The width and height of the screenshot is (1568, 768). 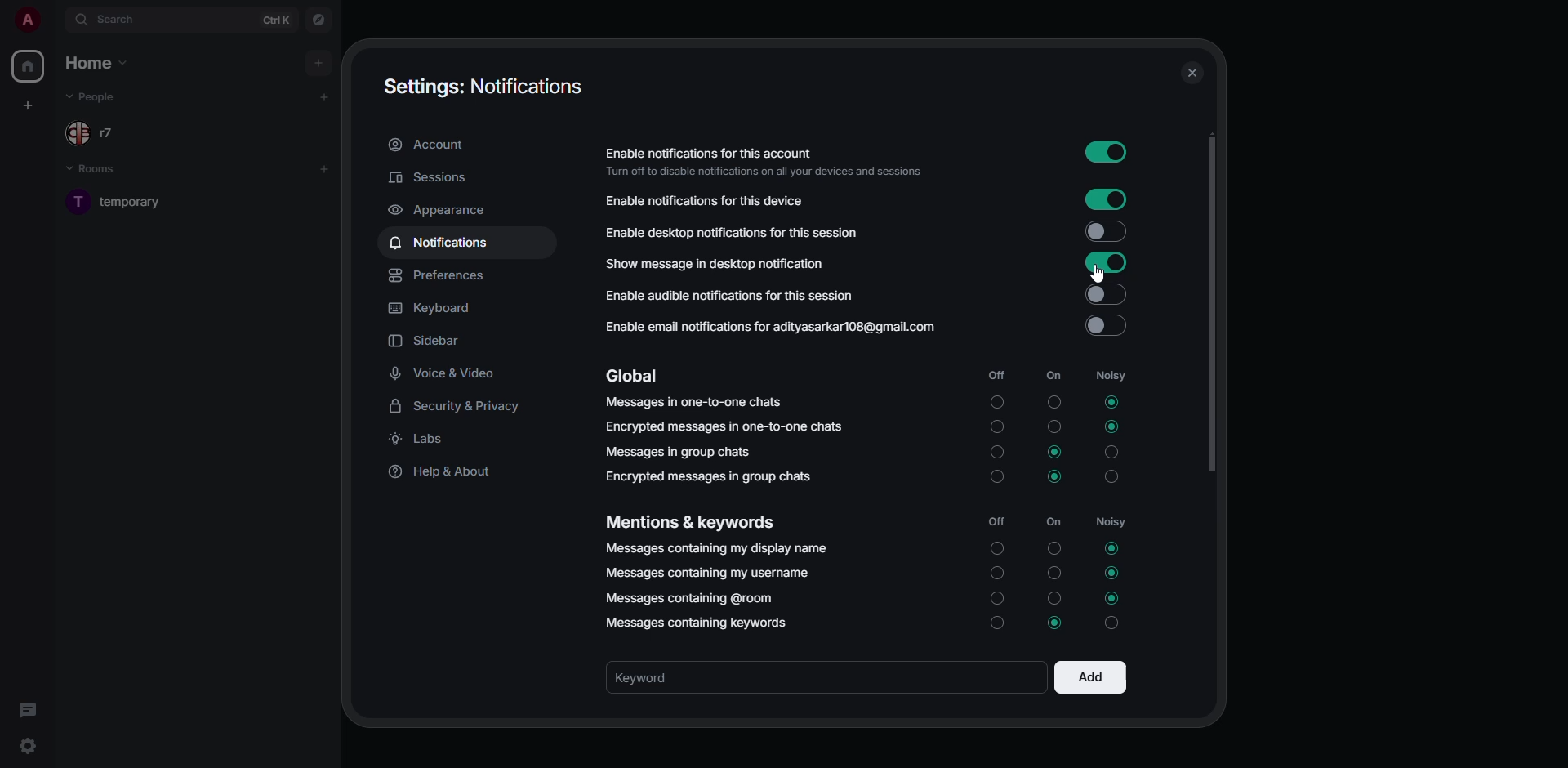 I want to click on Noisy Unselected, so click(x=1112, y=478).